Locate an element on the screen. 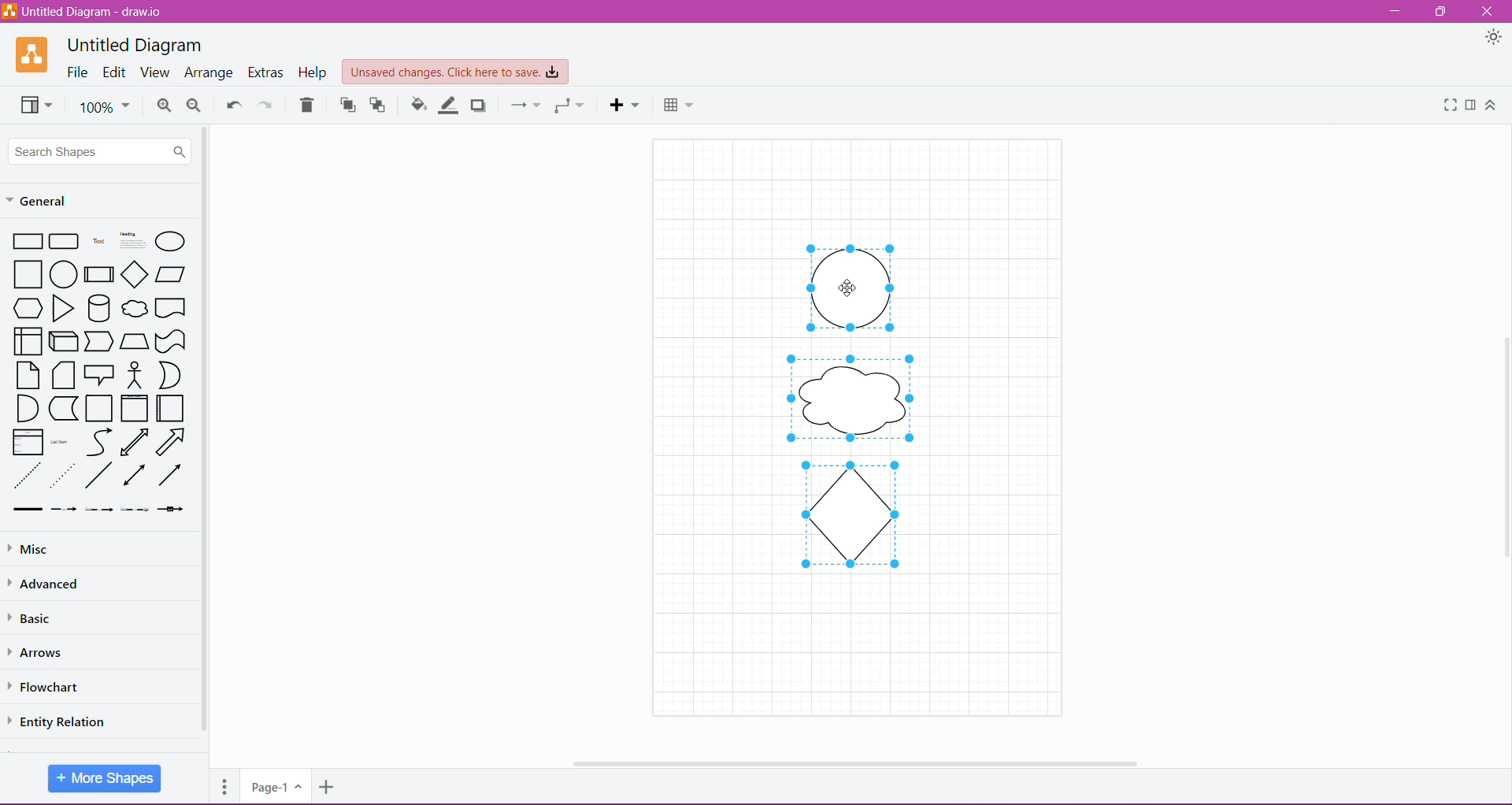 The width and height of the screenshot is (1512, 805). Redo is located at coordinates (265, 104).